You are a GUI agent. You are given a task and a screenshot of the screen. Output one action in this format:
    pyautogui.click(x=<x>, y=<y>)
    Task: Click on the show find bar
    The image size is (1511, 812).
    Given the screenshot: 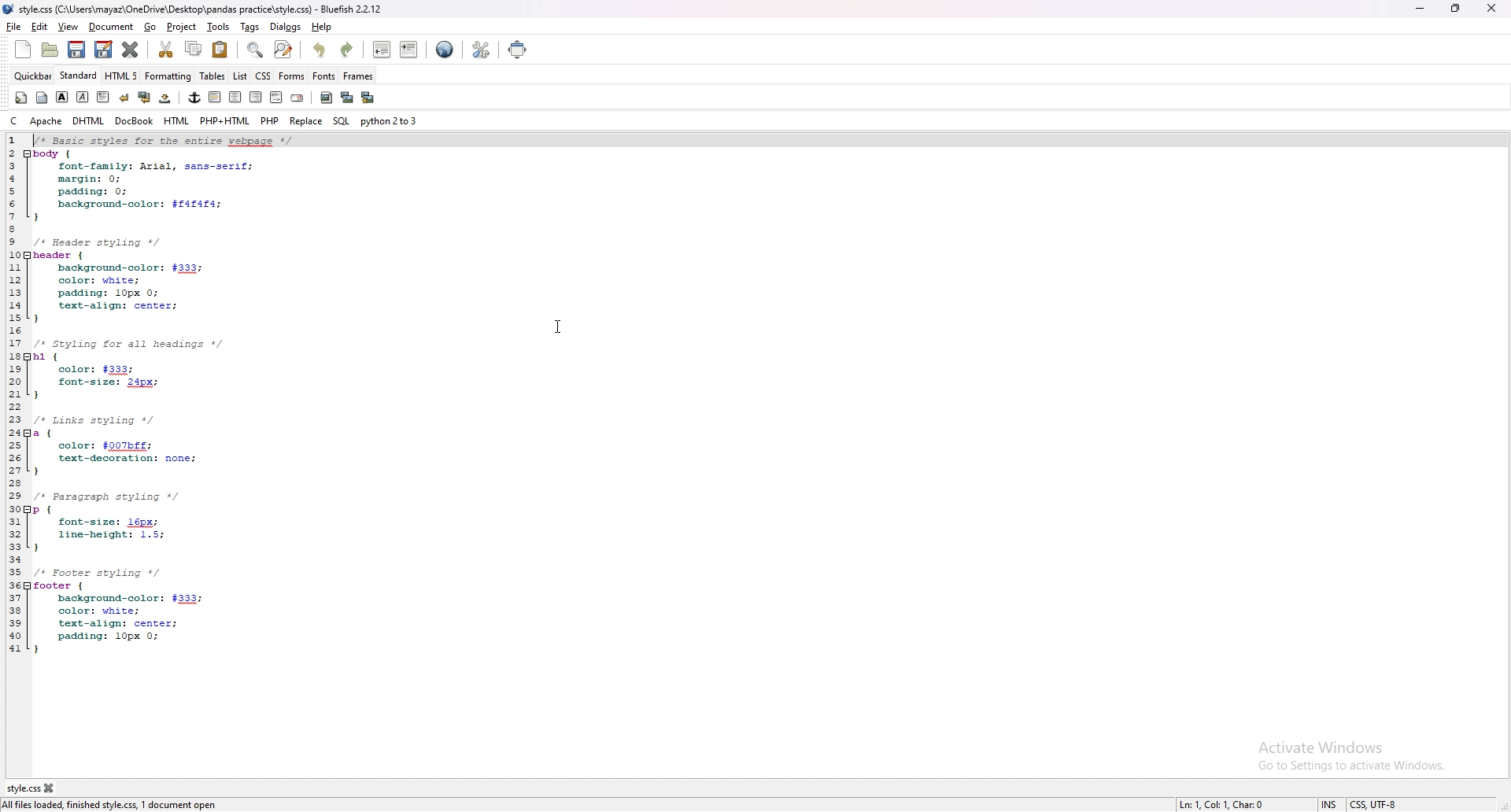 What is the action you would take?
    pyautogui.click(x=257, y=50)
    